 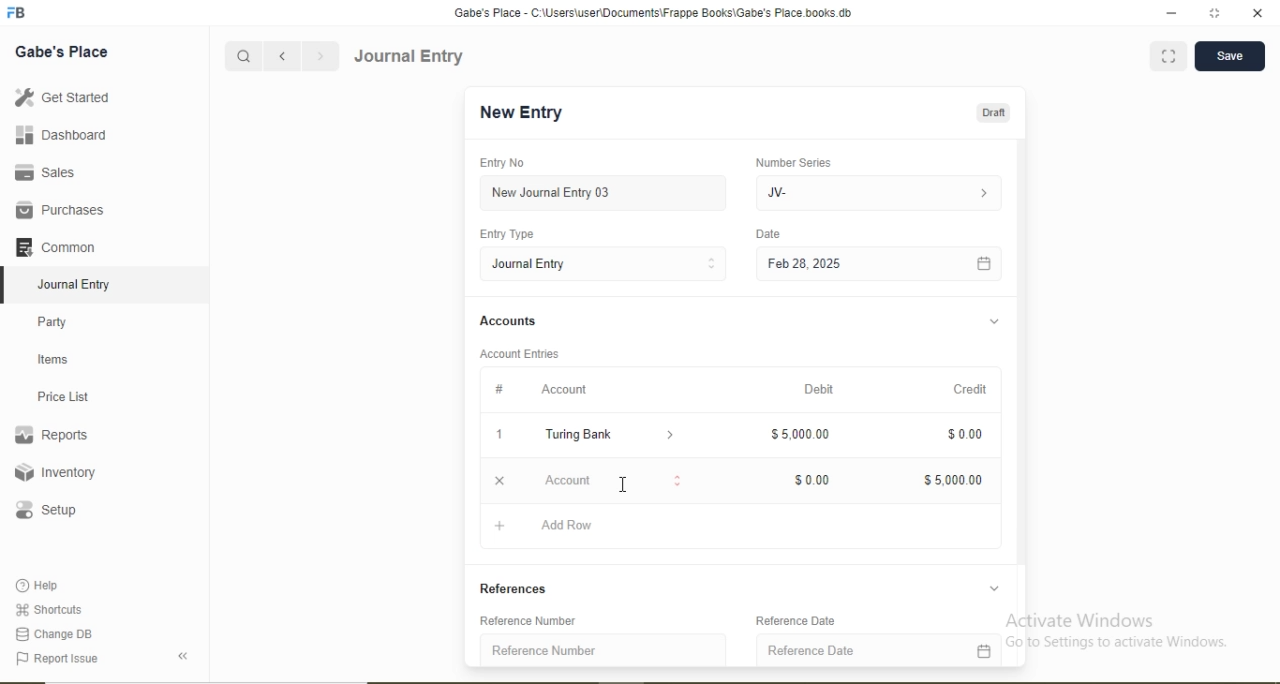 I want to click on $0.00, so click(x=965, y=435).